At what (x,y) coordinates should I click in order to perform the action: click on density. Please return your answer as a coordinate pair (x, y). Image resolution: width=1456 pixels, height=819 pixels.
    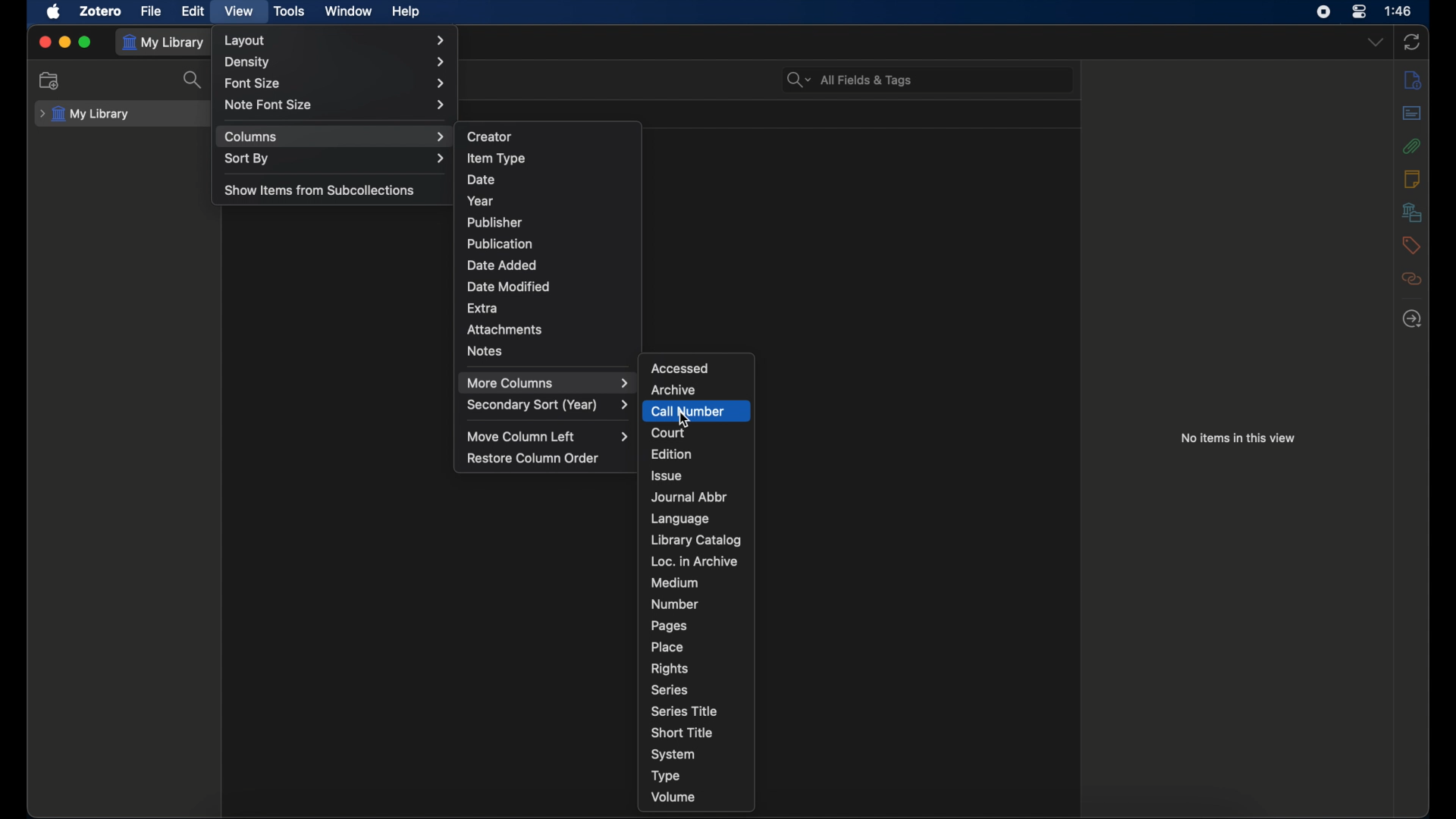
    Looking at the image, I should click on (335, 61).